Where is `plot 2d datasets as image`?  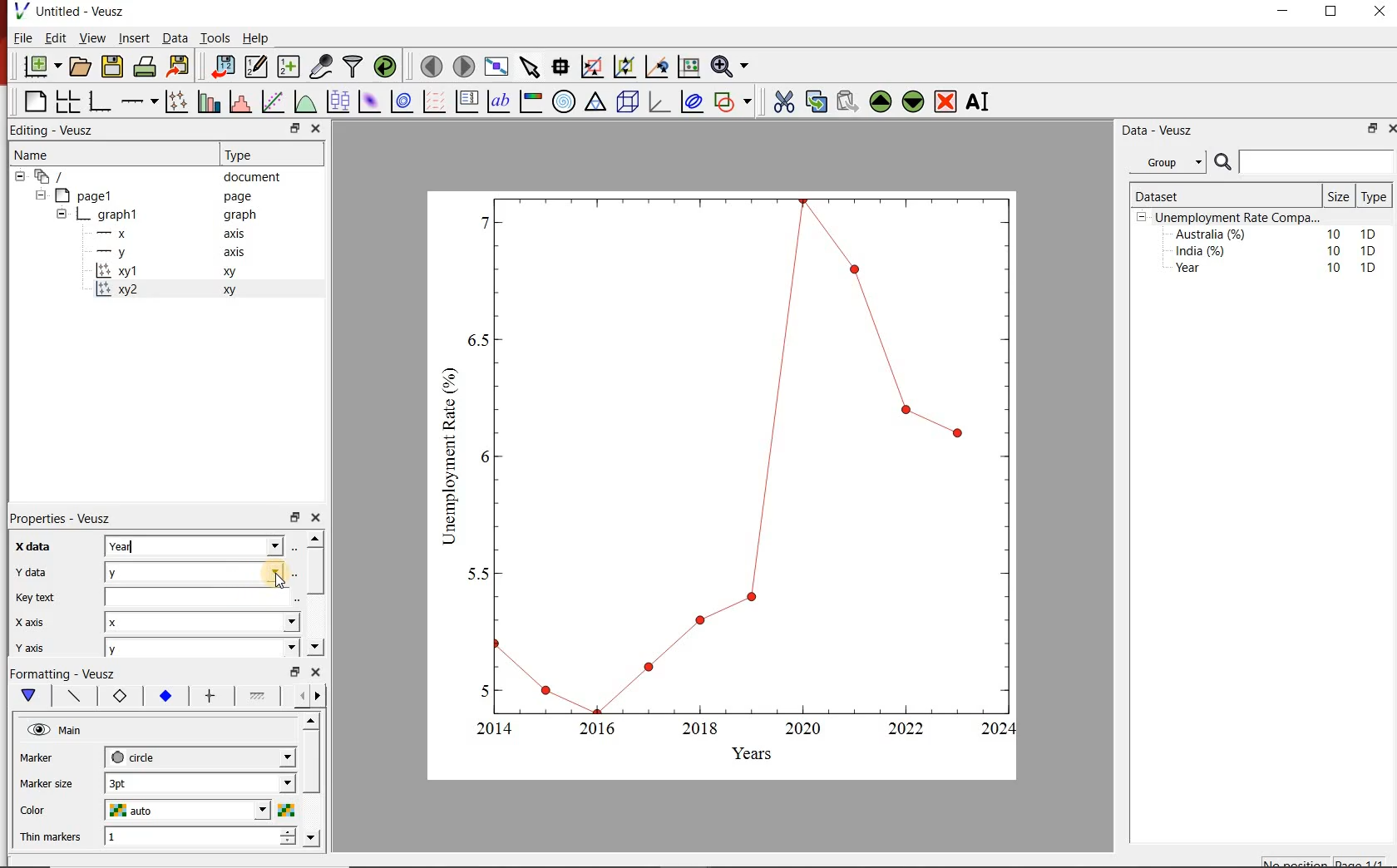
plot 2d datasets as image is located at coordinates (369, 101).